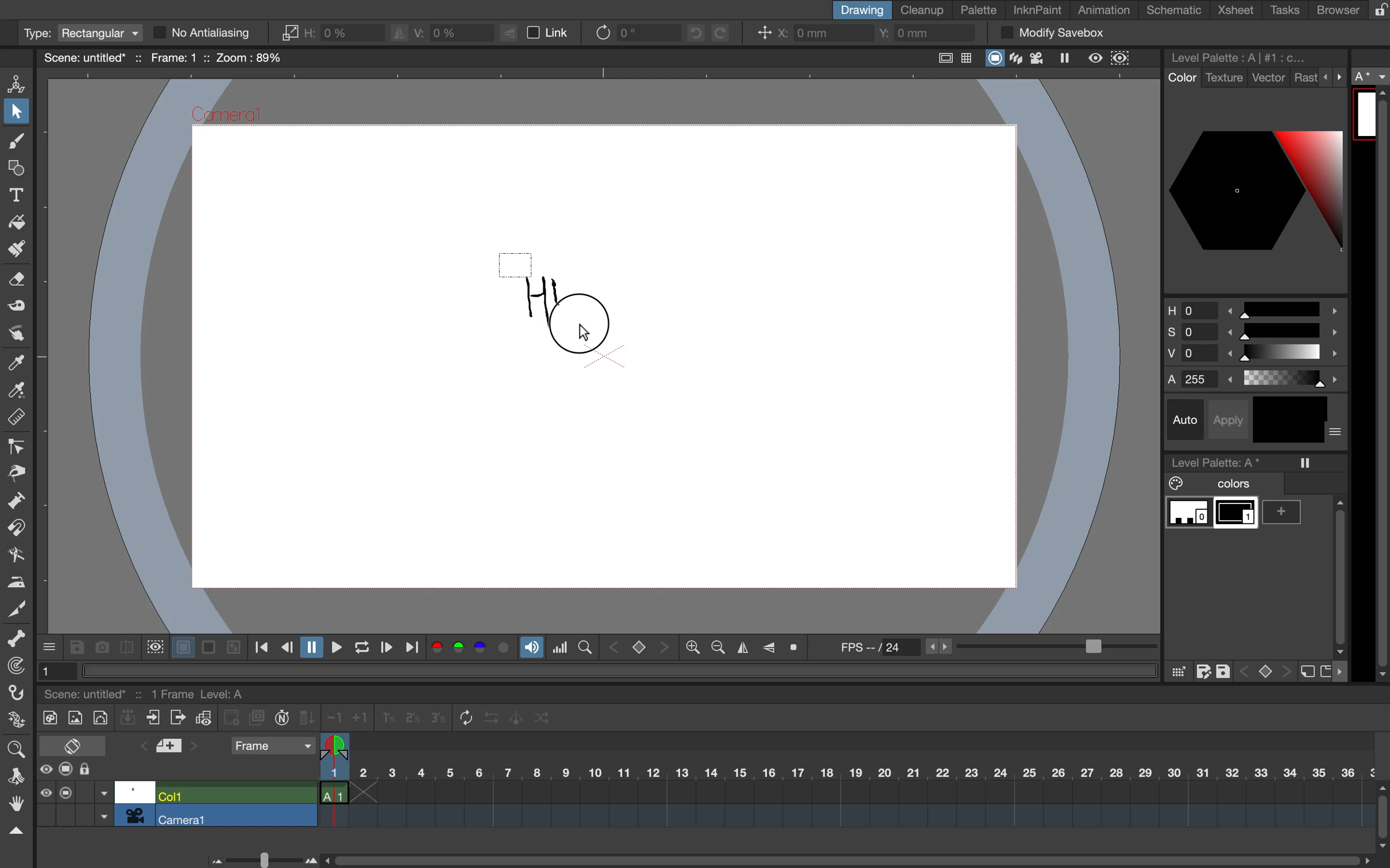 This screenshot has width=1390, height=868. Describe the element at coordinates (798, 648) in the screenshot. I see `reset view` at that location.